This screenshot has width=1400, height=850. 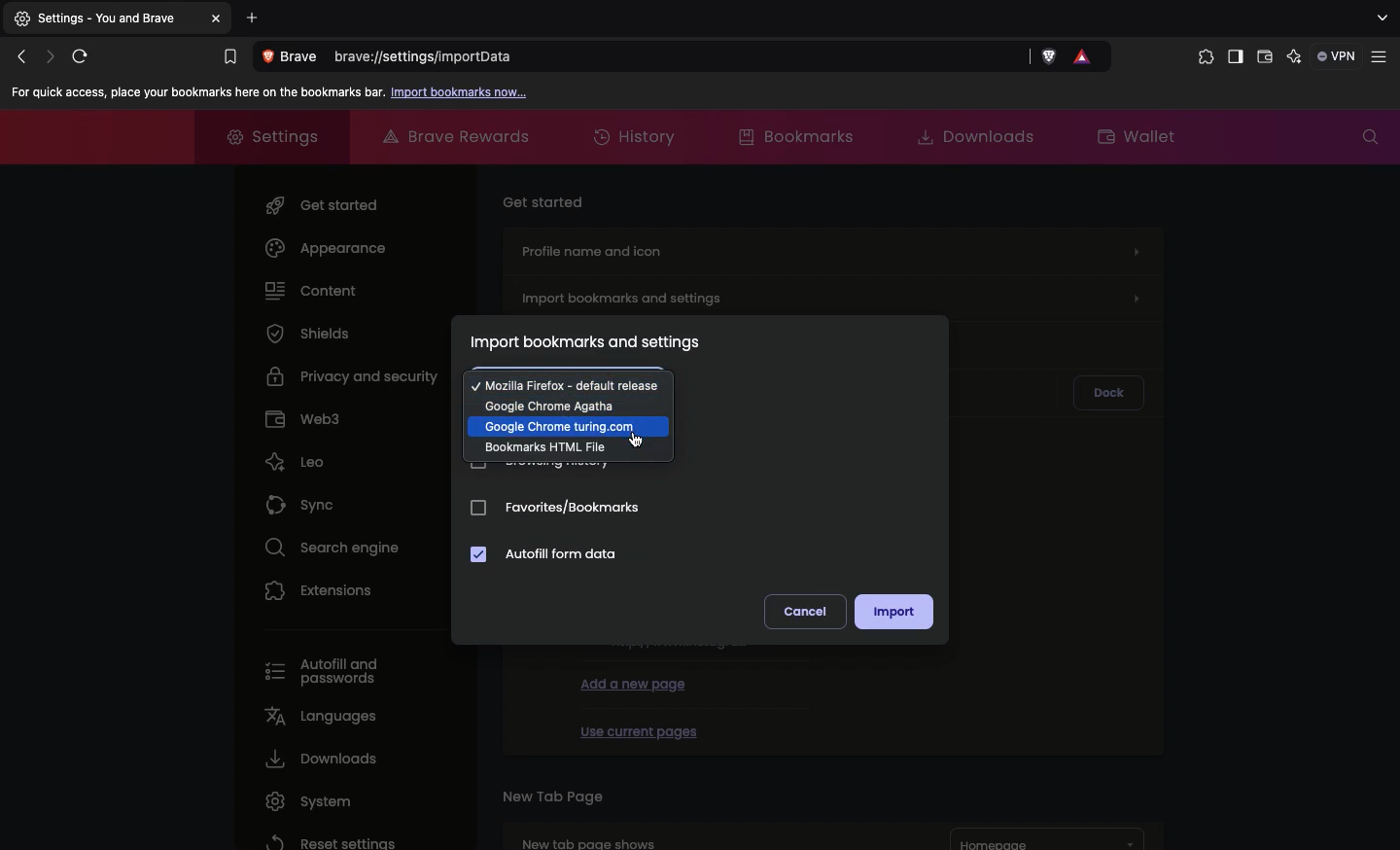 What do you see at coordinates (330, 673) in the screenshot?
I see `Autofill and passwords` at bounding box center [330, 673].